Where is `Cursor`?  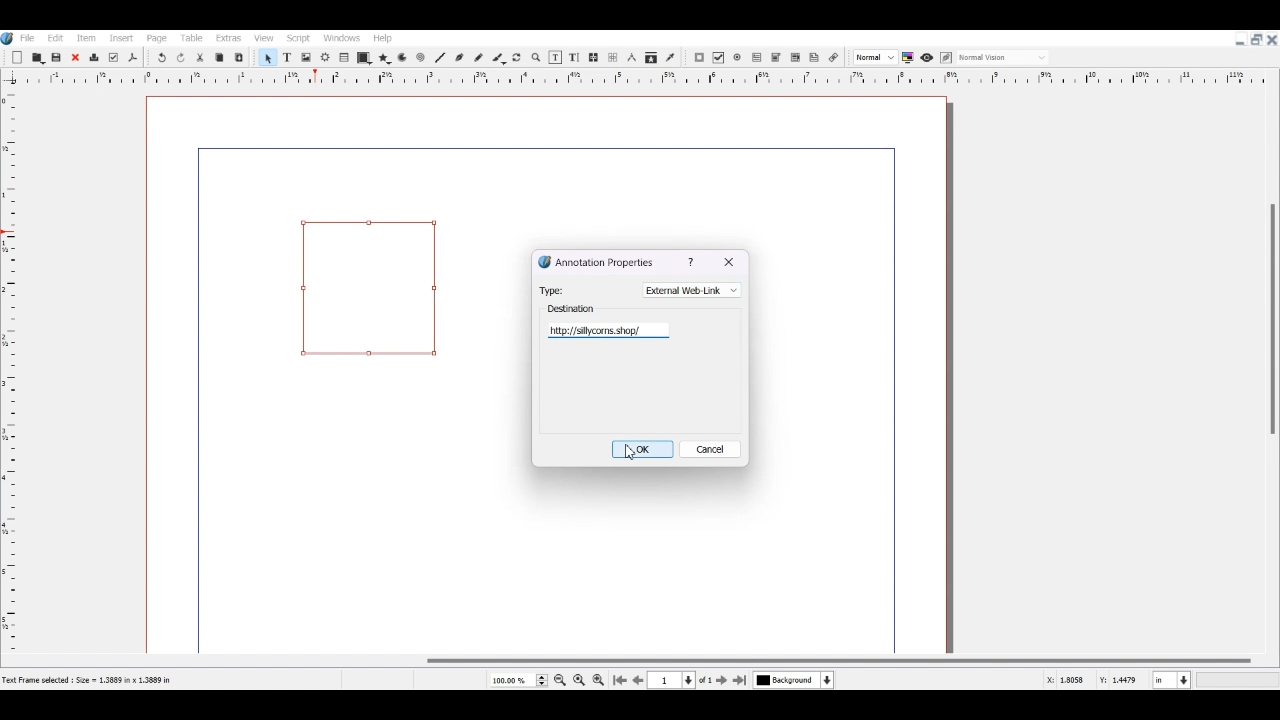 Cursor is located at coordinates (632, 452).